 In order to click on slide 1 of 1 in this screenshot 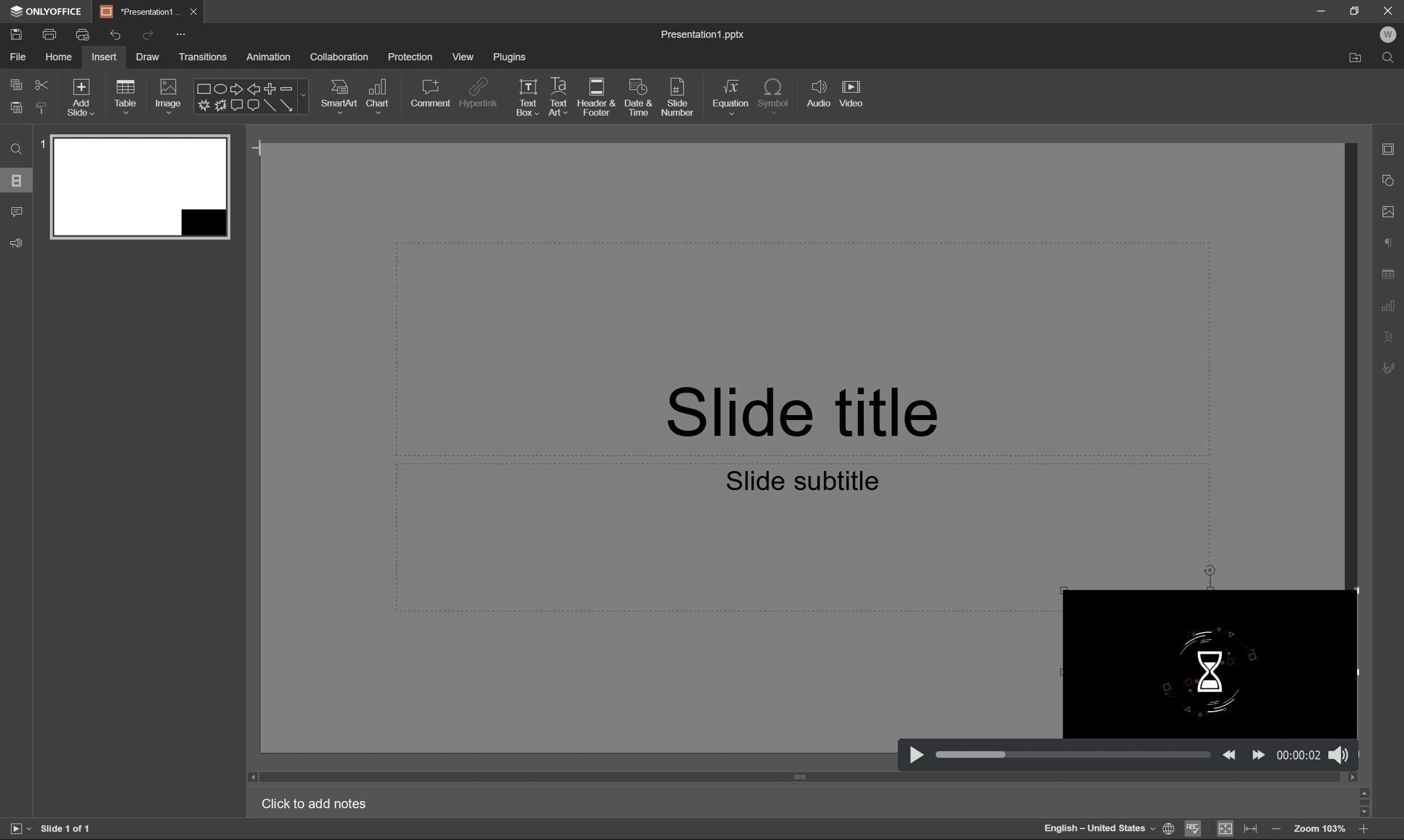, I will do `click(73, 829)`.